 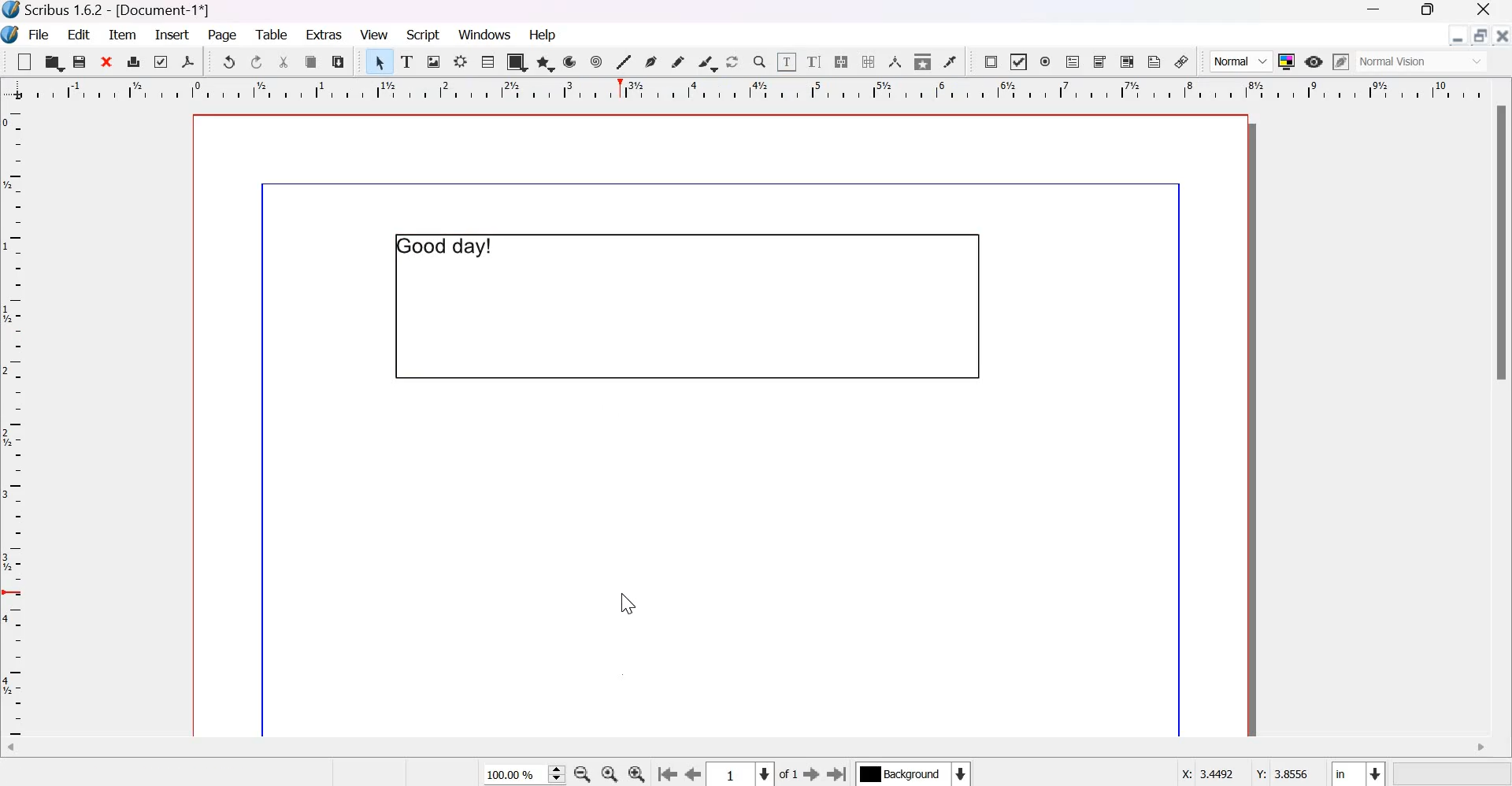 I want to click on Insert, so click(x=172, y=35).